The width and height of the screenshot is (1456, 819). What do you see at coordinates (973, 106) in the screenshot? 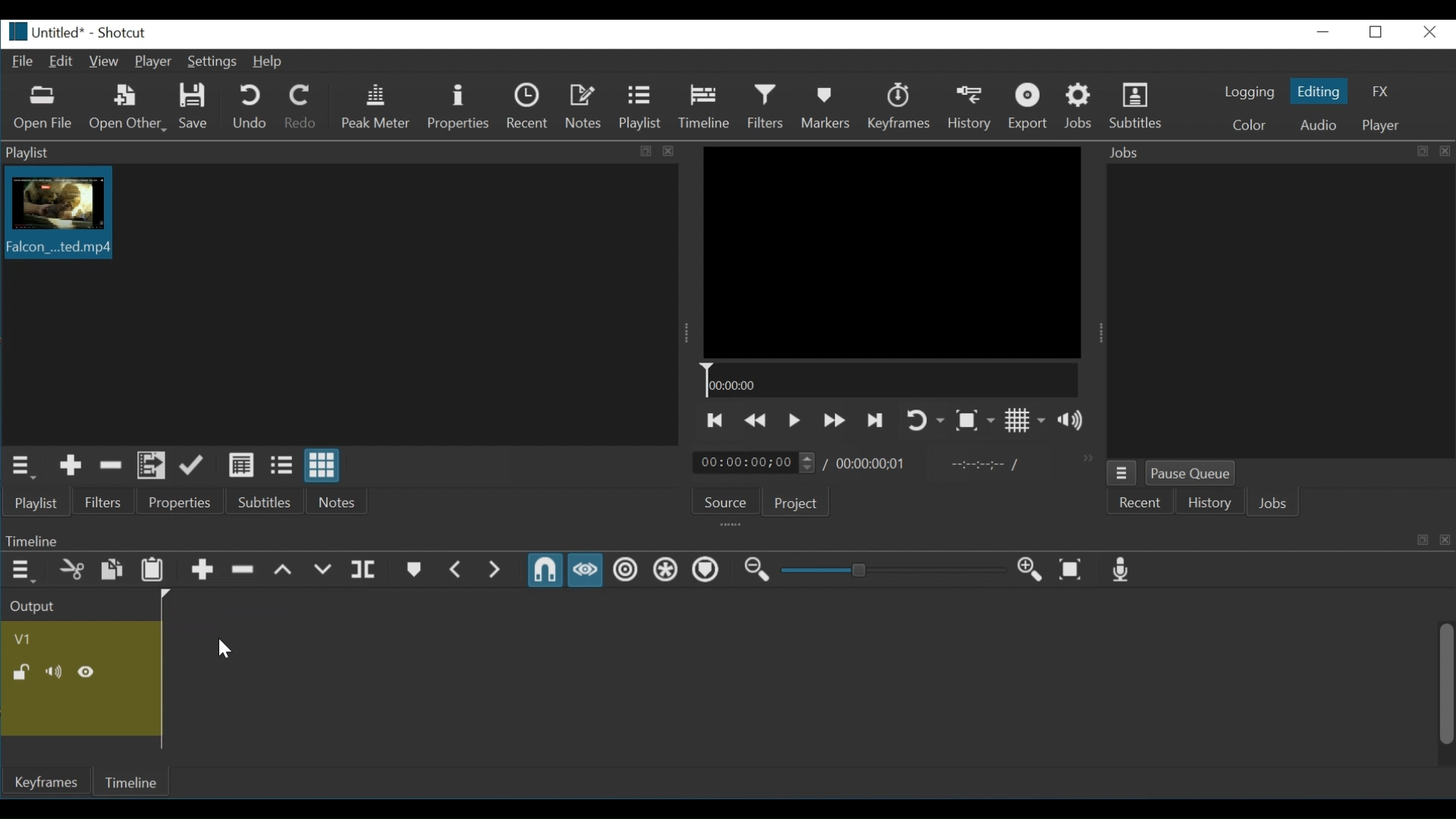
I see `History` at bounding box center [973, 106].